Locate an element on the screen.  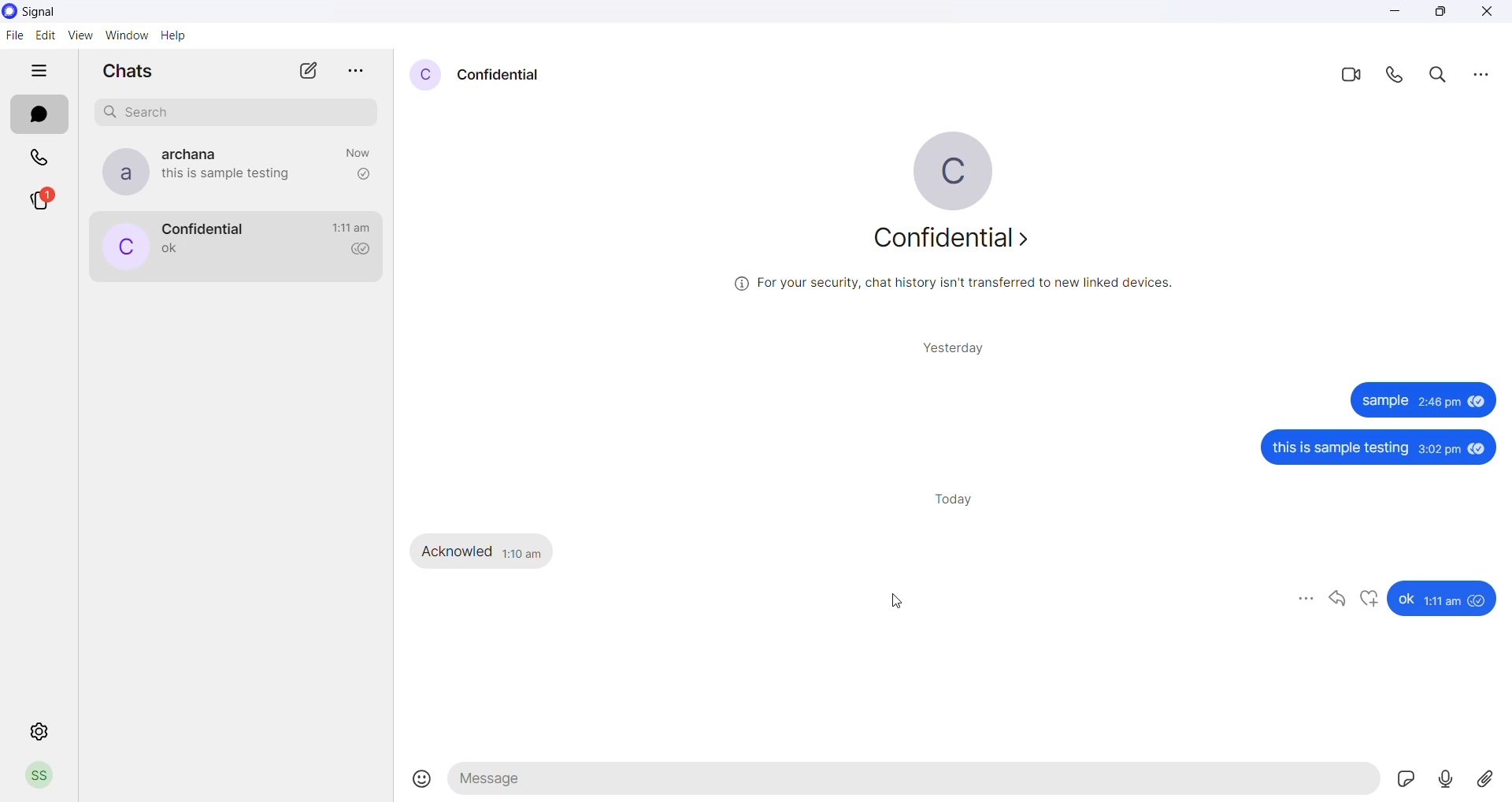
message text area is located at coordinates (916, 783).